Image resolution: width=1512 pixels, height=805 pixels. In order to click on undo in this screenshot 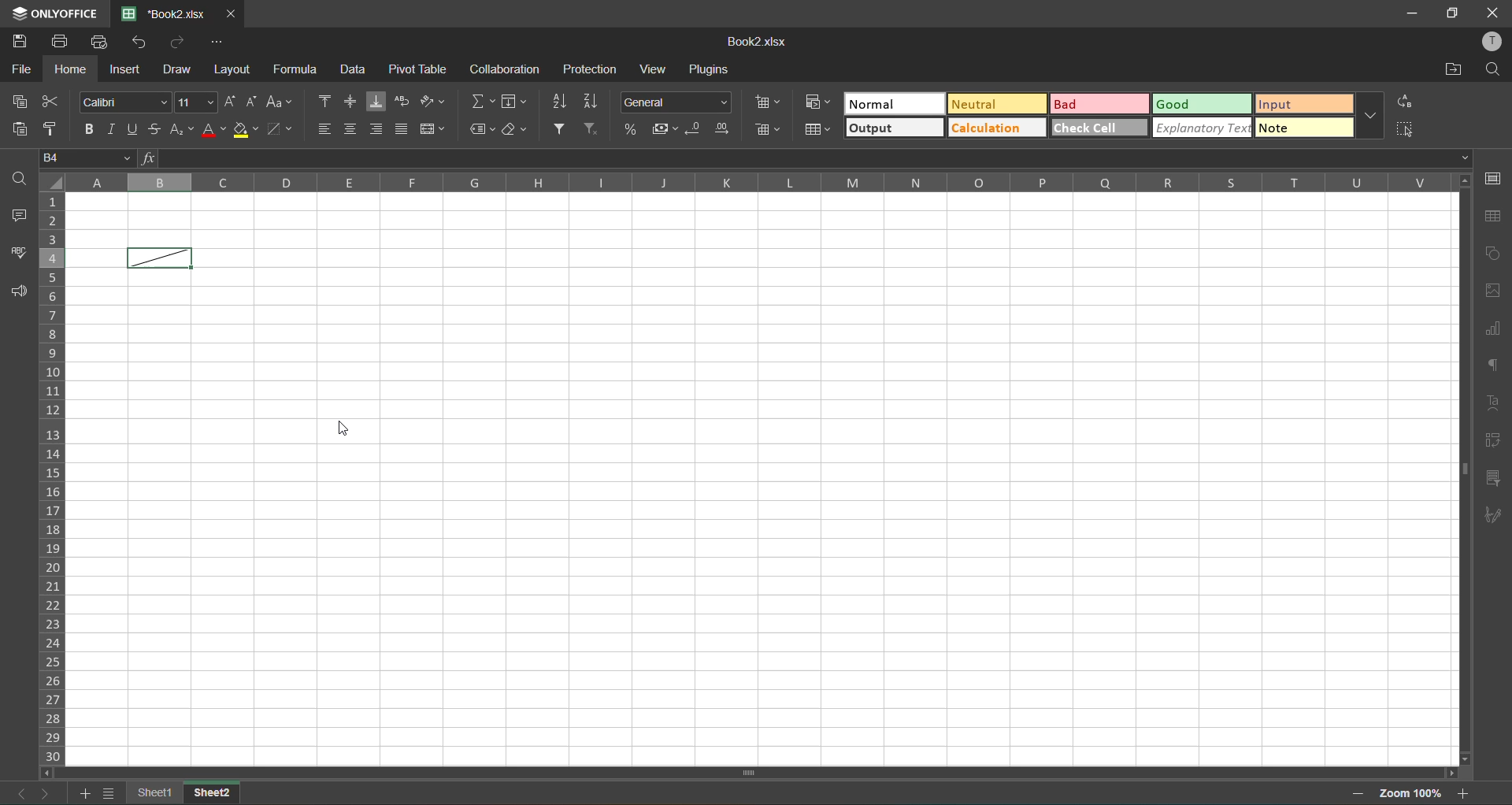, I will do `click(143, 43)`.